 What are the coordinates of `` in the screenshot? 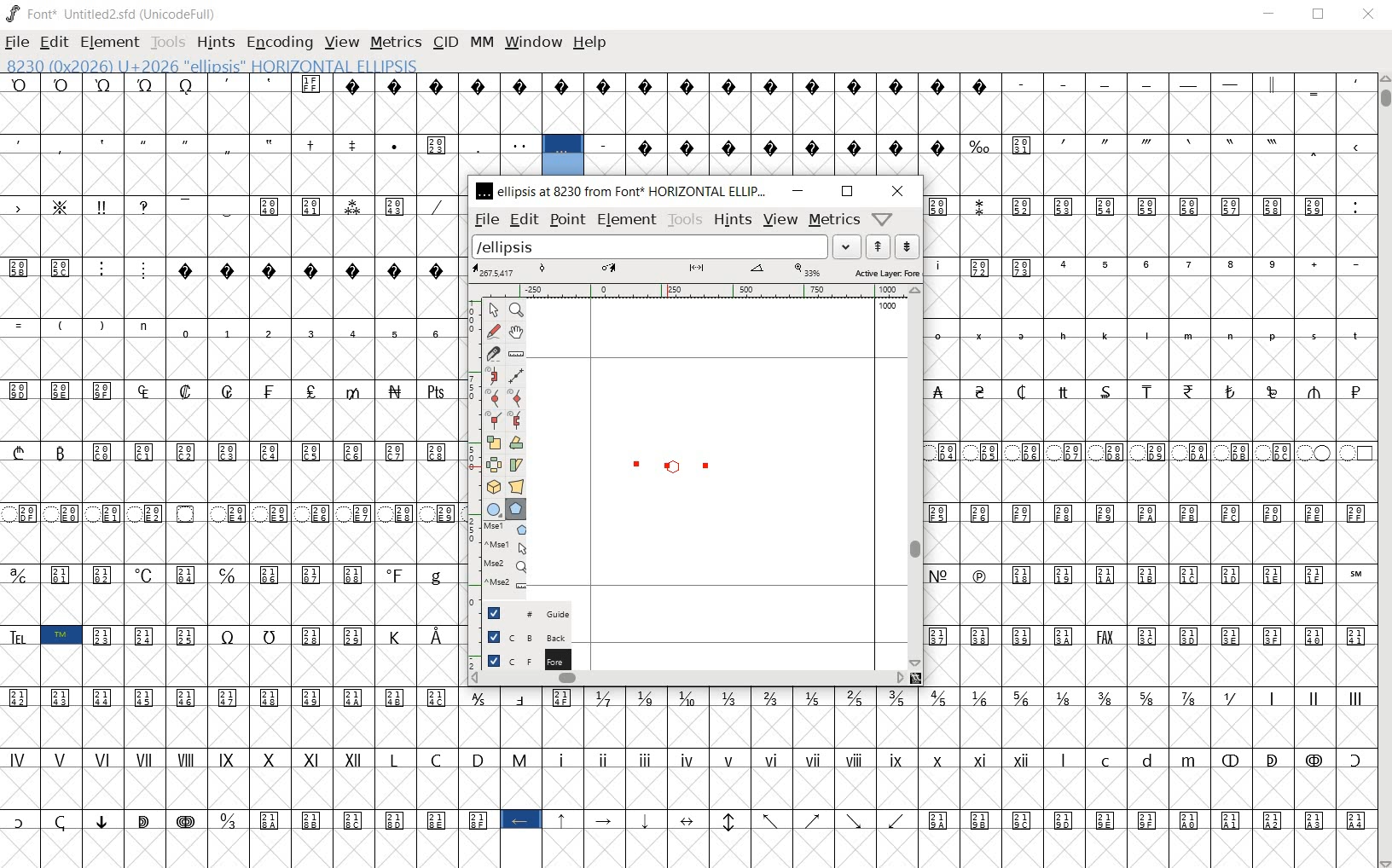 It's located at (779, 219).